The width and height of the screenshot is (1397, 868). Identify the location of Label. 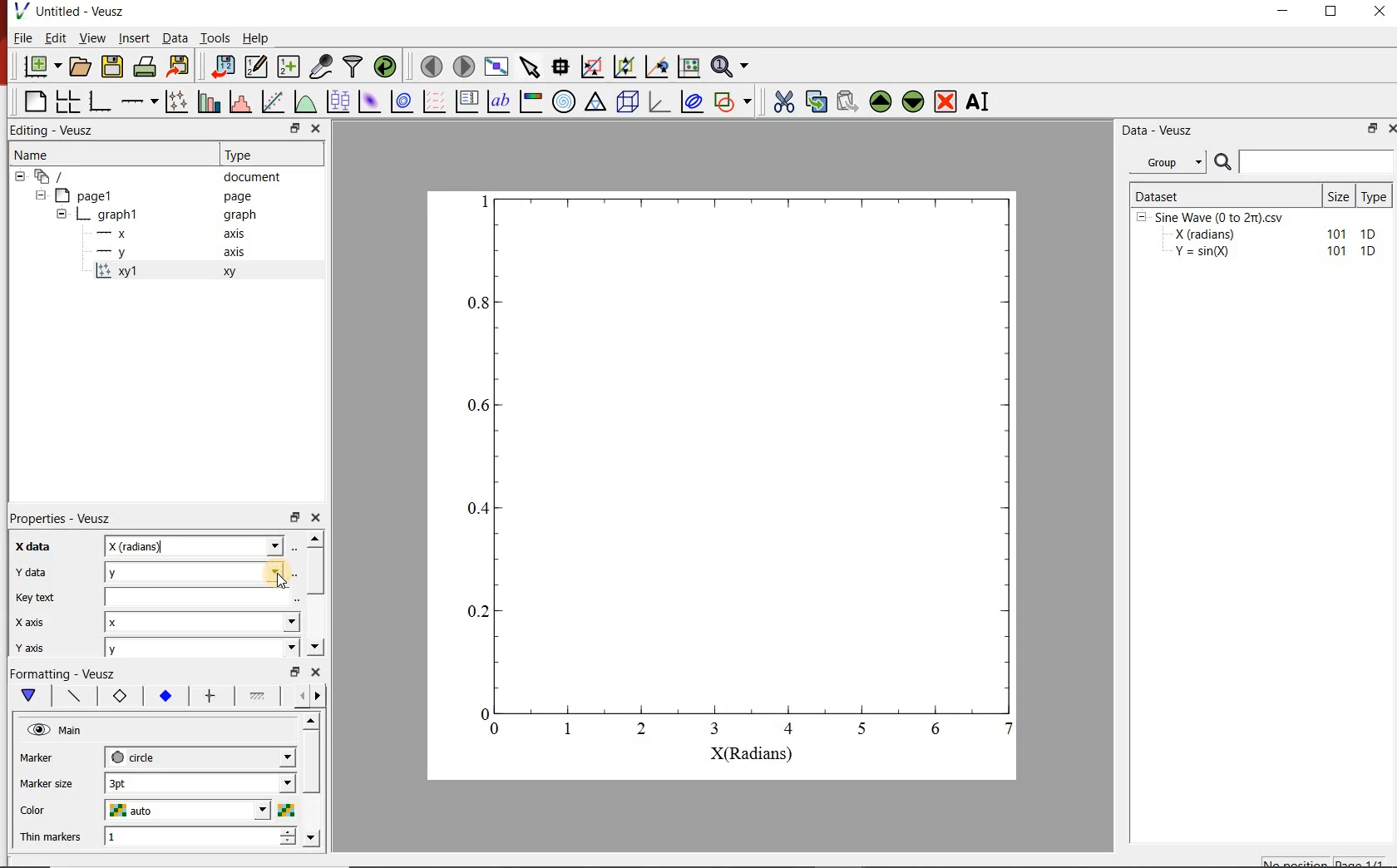
(29, 545).